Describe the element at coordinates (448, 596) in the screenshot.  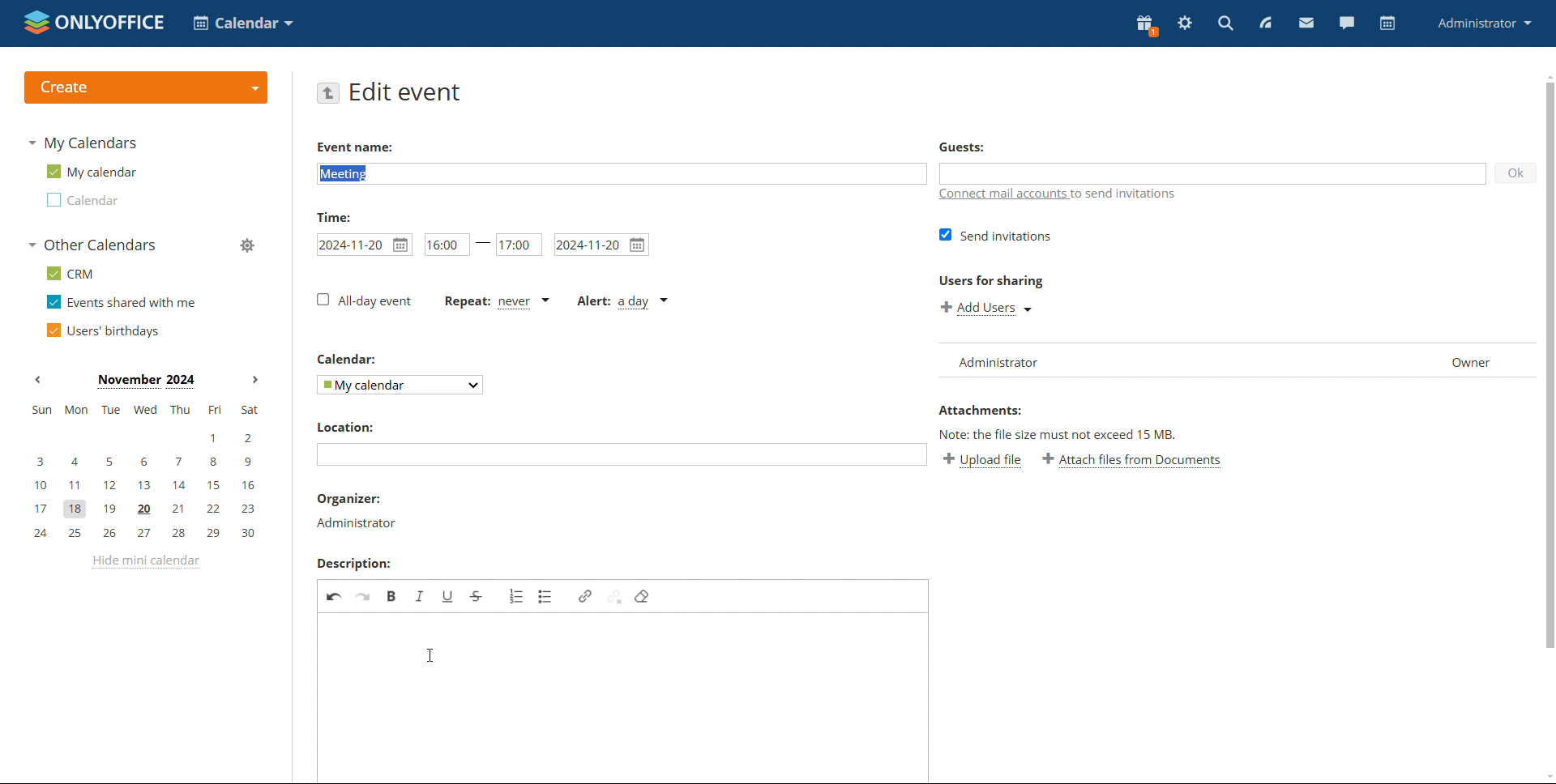
I see `underline` at that location.